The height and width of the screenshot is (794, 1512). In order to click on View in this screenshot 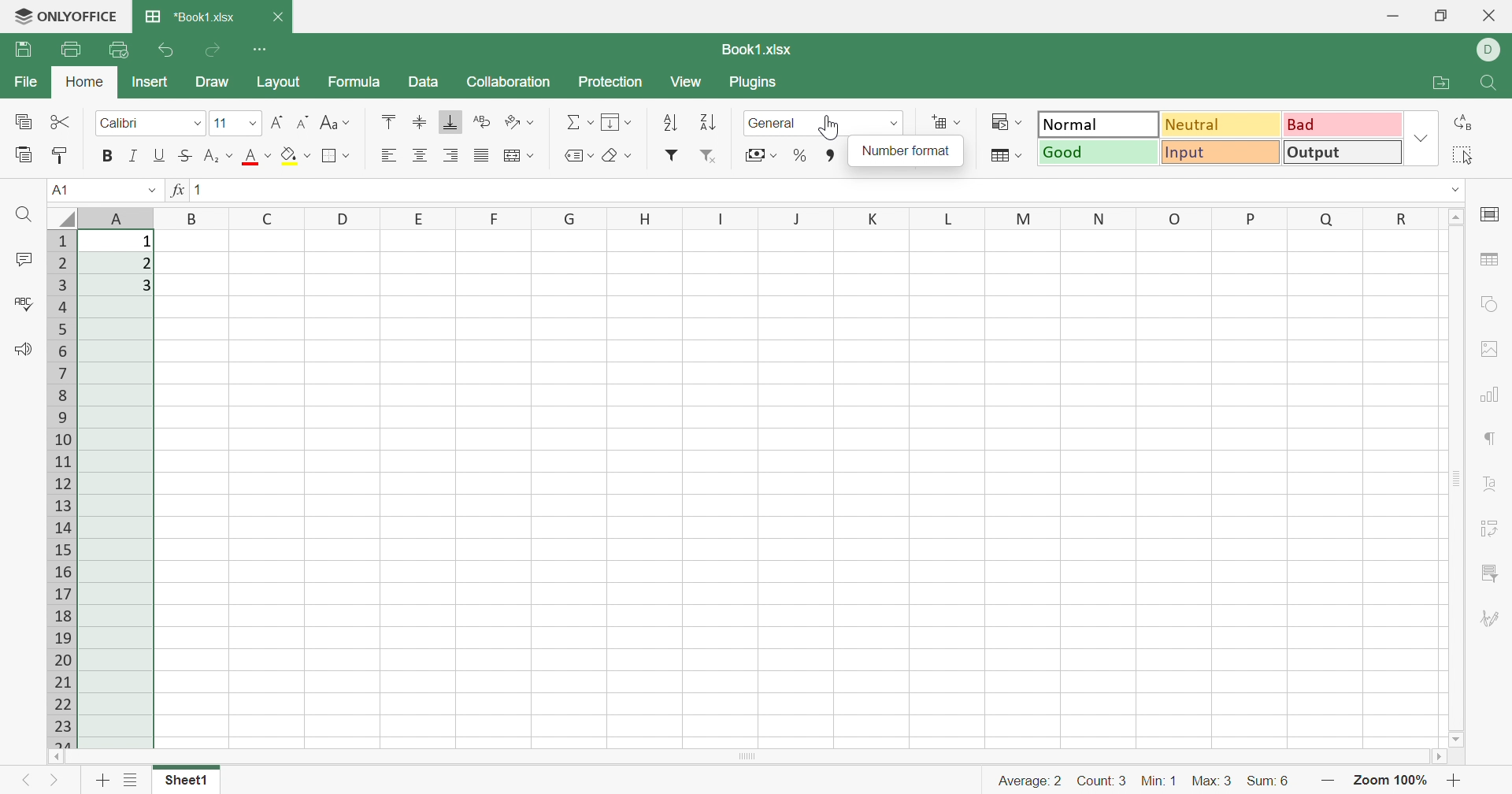, I will do `click(684, 82)`.